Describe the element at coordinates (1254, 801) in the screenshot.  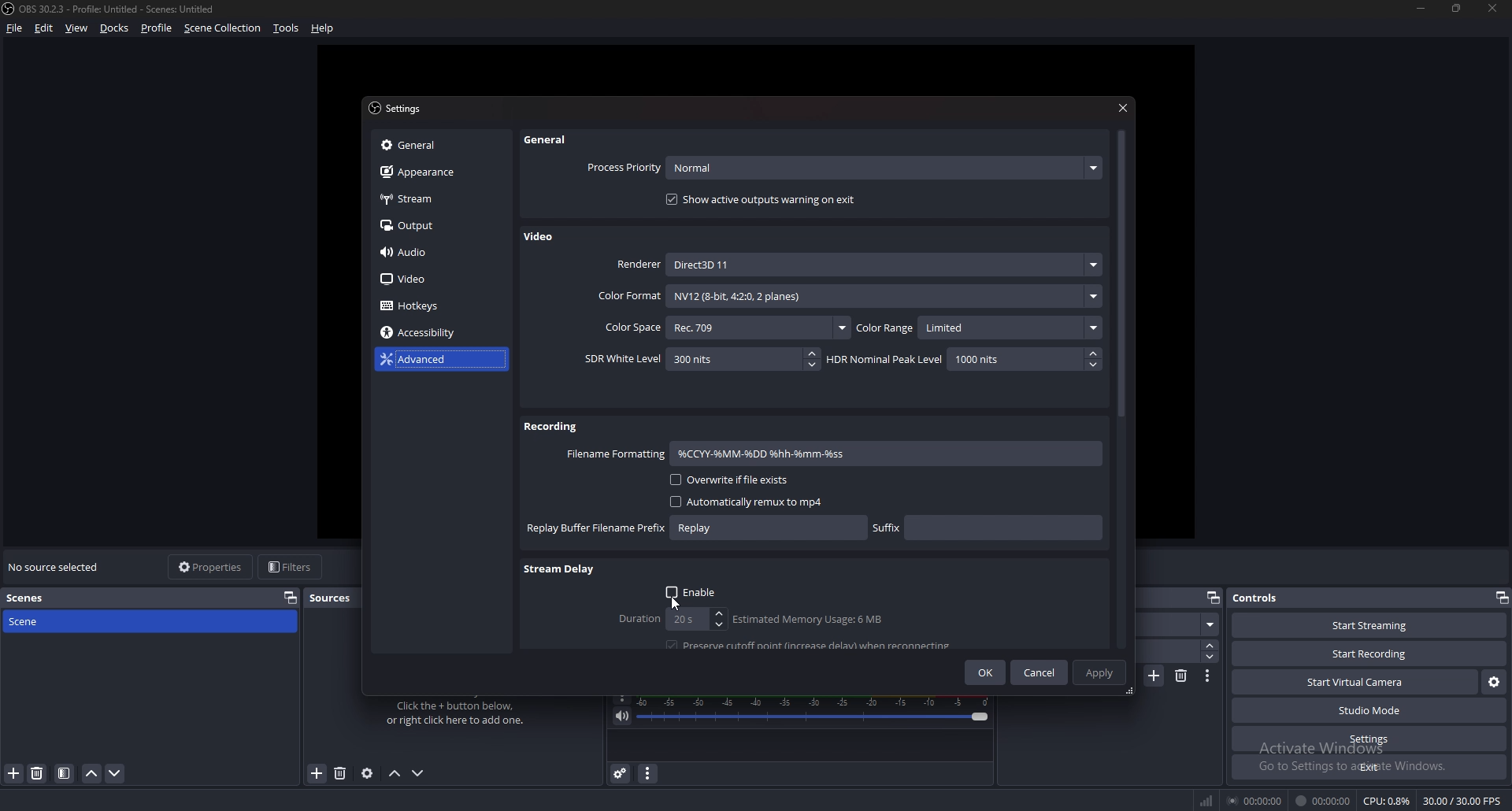
I see `00:00:00` at that location.